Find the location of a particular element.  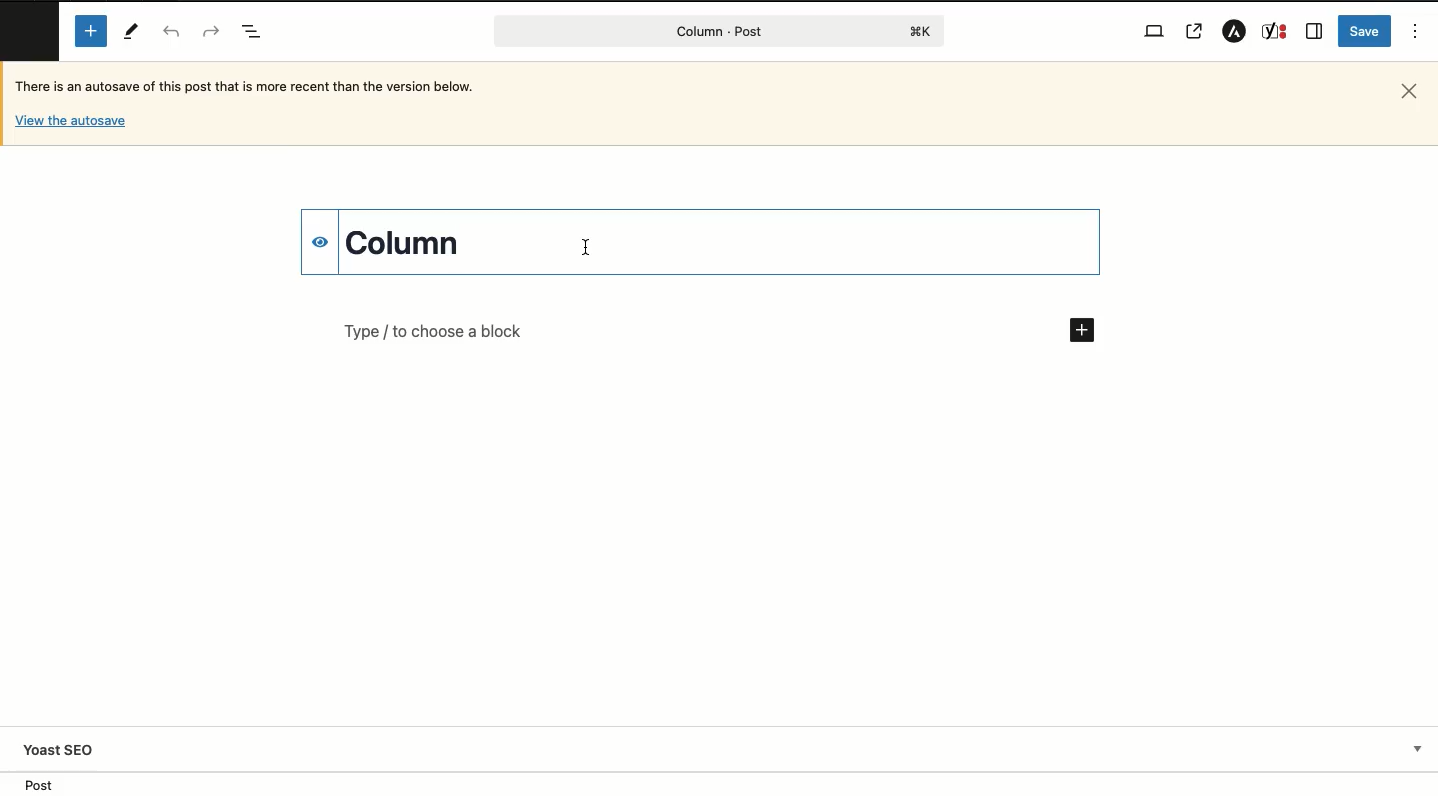

Autosave is located at coordinates (269, 85).